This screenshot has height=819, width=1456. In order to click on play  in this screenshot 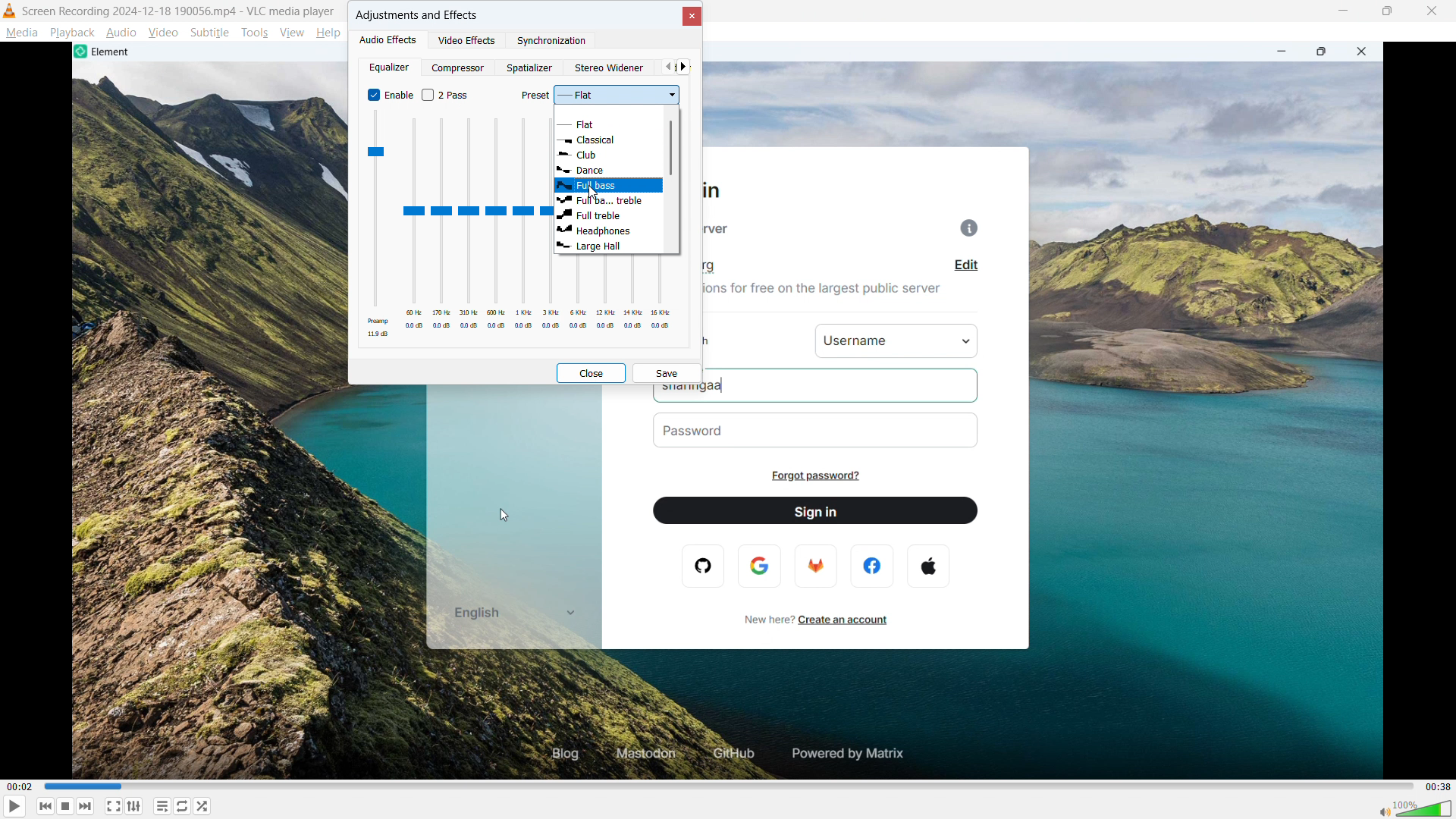, I will do `click(17, 806)`.